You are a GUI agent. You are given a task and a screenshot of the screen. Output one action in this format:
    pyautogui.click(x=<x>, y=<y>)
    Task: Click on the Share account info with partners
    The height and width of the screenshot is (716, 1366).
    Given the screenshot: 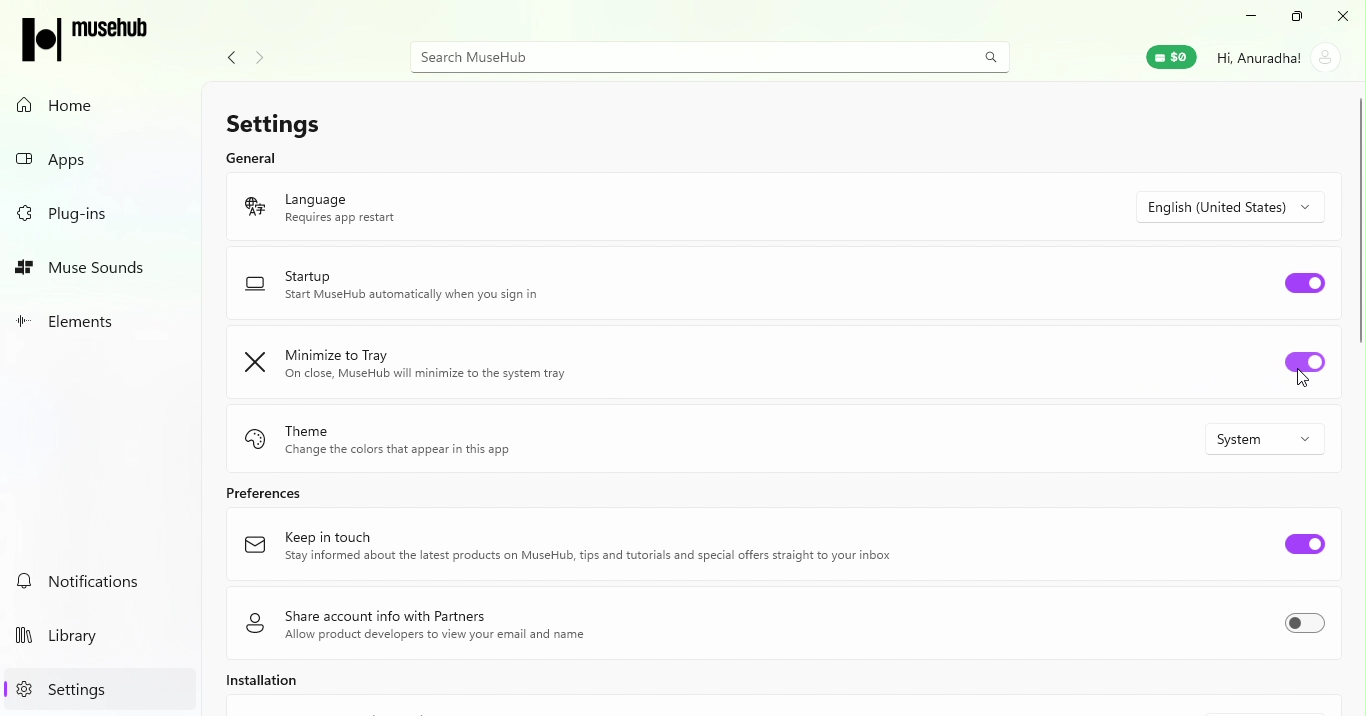 What is the action you would take?
    pyautogui.click(x=419, y=625)
    